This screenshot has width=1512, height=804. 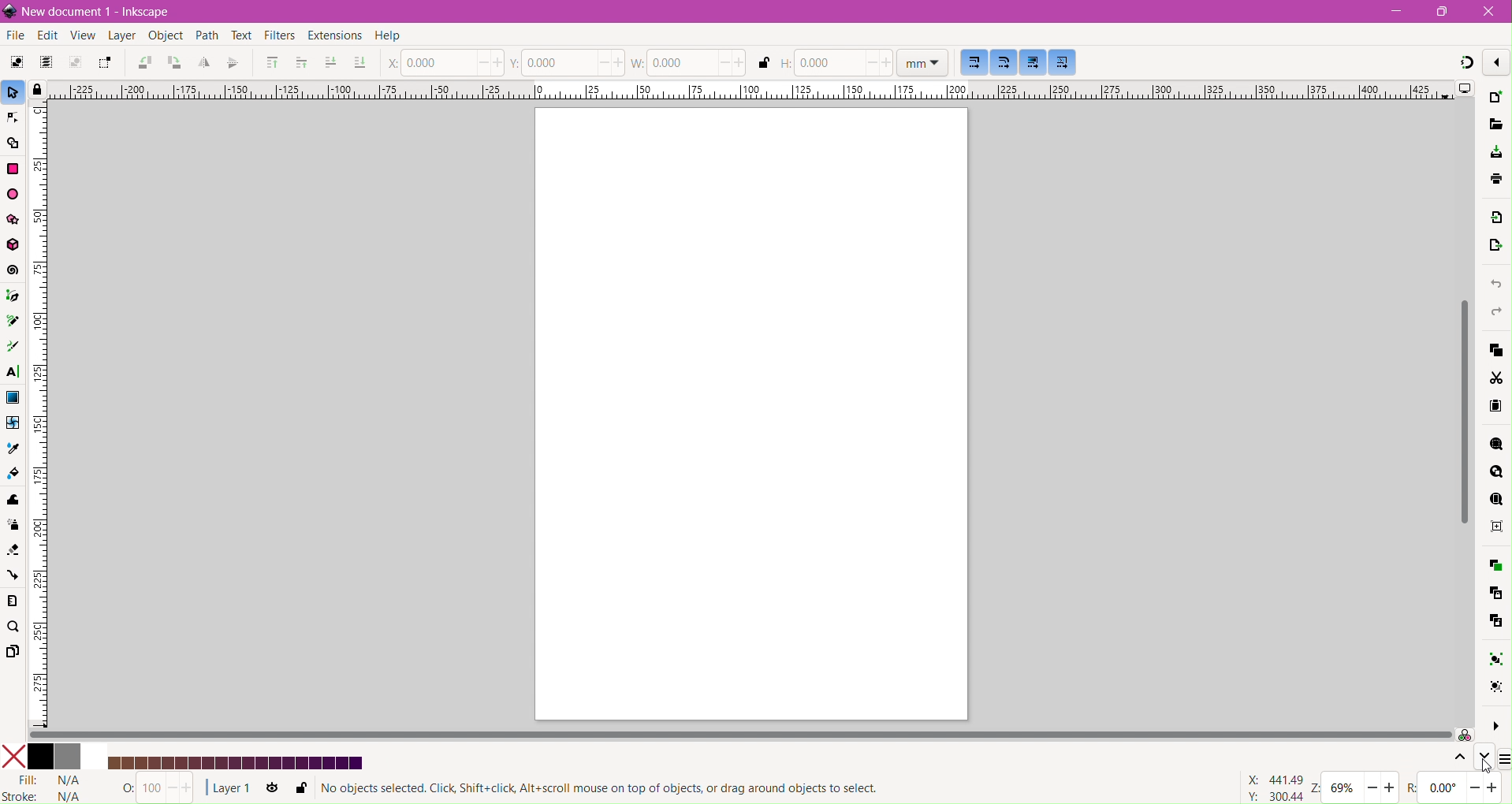 I want to click on Color managed mode, so click(x=1465, y=736).